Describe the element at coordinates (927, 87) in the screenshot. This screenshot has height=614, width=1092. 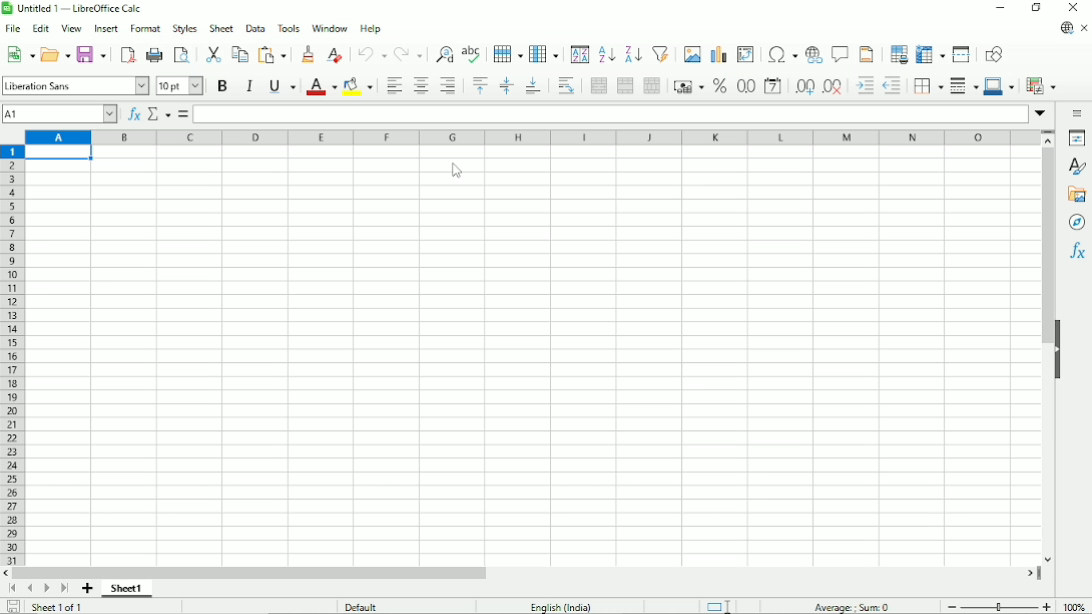
I see `Borders` at that location.